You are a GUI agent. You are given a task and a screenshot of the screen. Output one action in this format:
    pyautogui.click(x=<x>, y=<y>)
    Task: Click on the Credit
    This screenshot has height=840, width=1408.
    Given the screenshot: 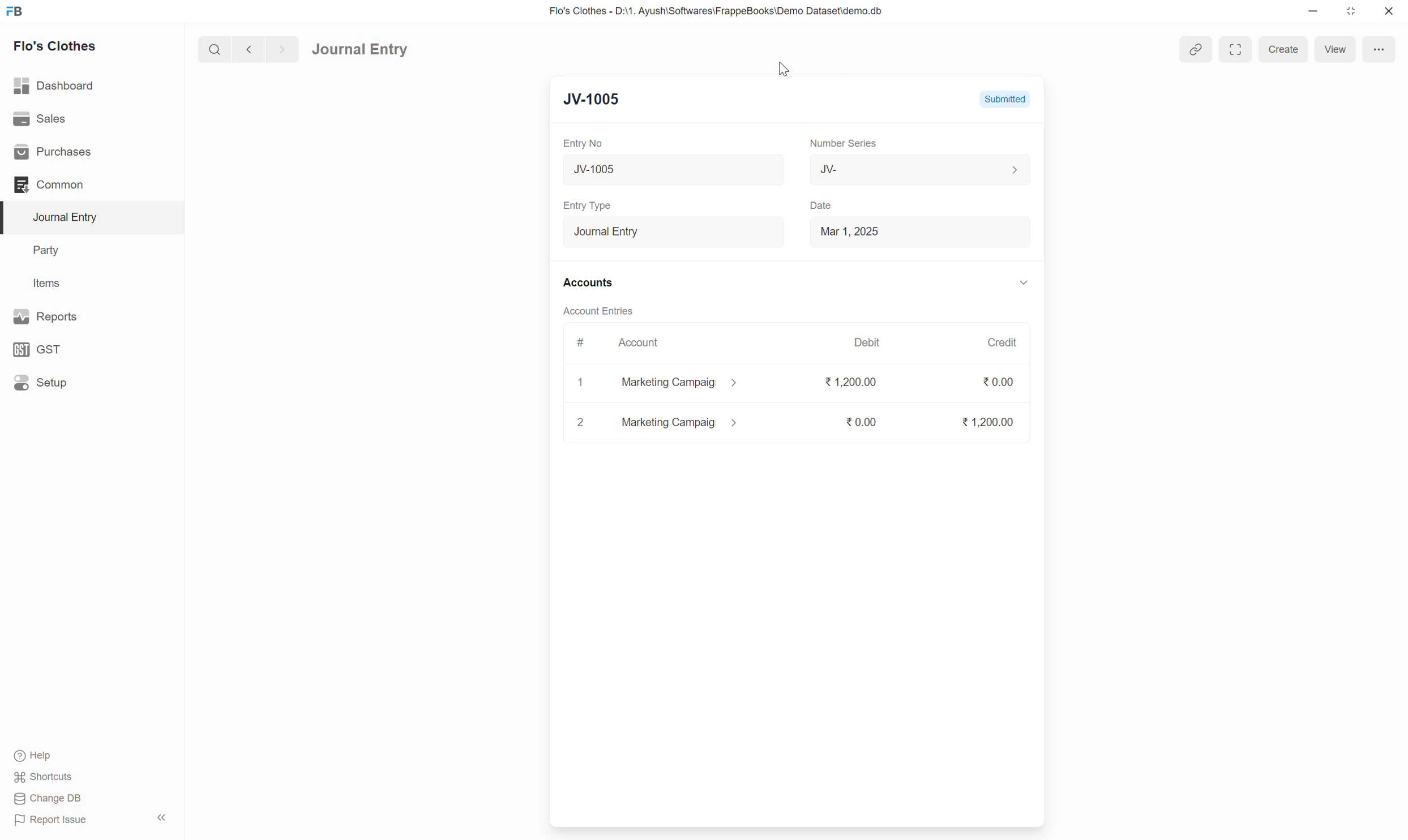 What is the action you would take?
    pyautogui.click(x=1002, y=342)
    